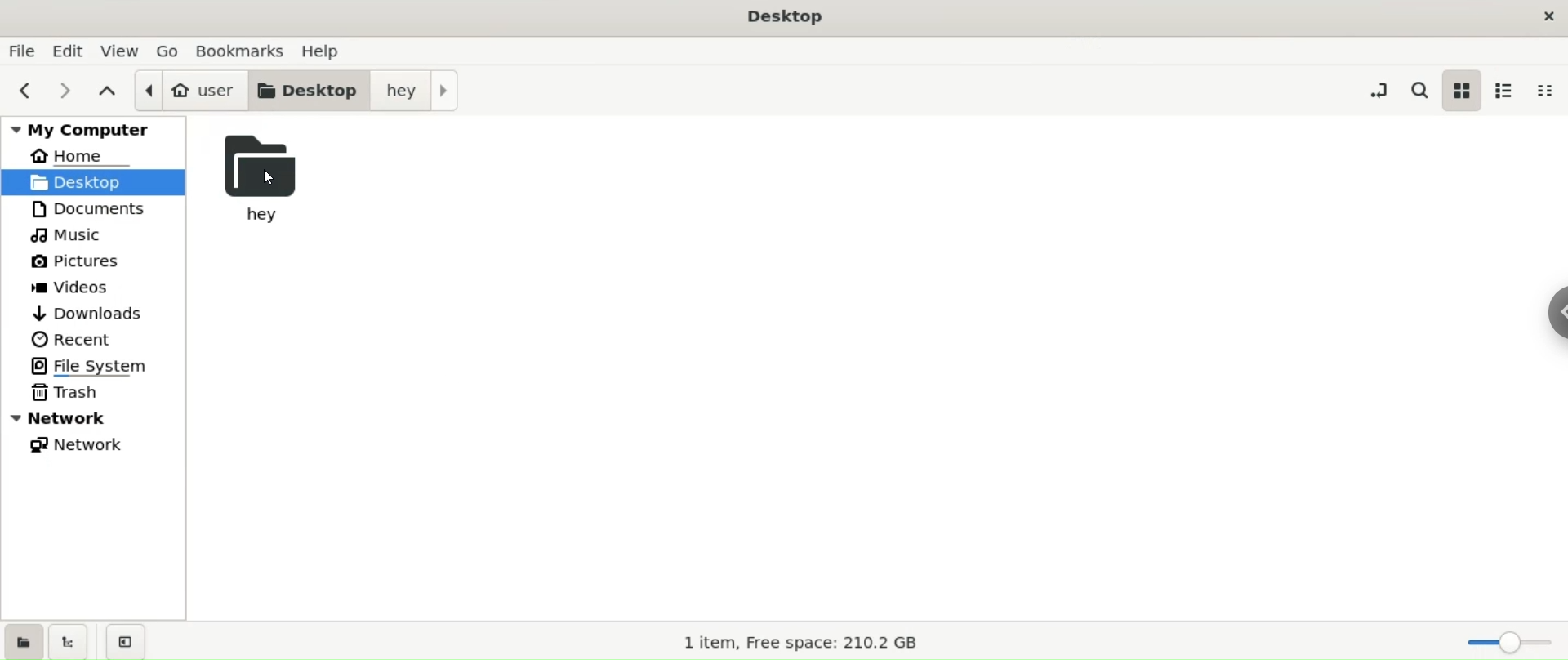  I want to click on compact view, so click(1546, 91).